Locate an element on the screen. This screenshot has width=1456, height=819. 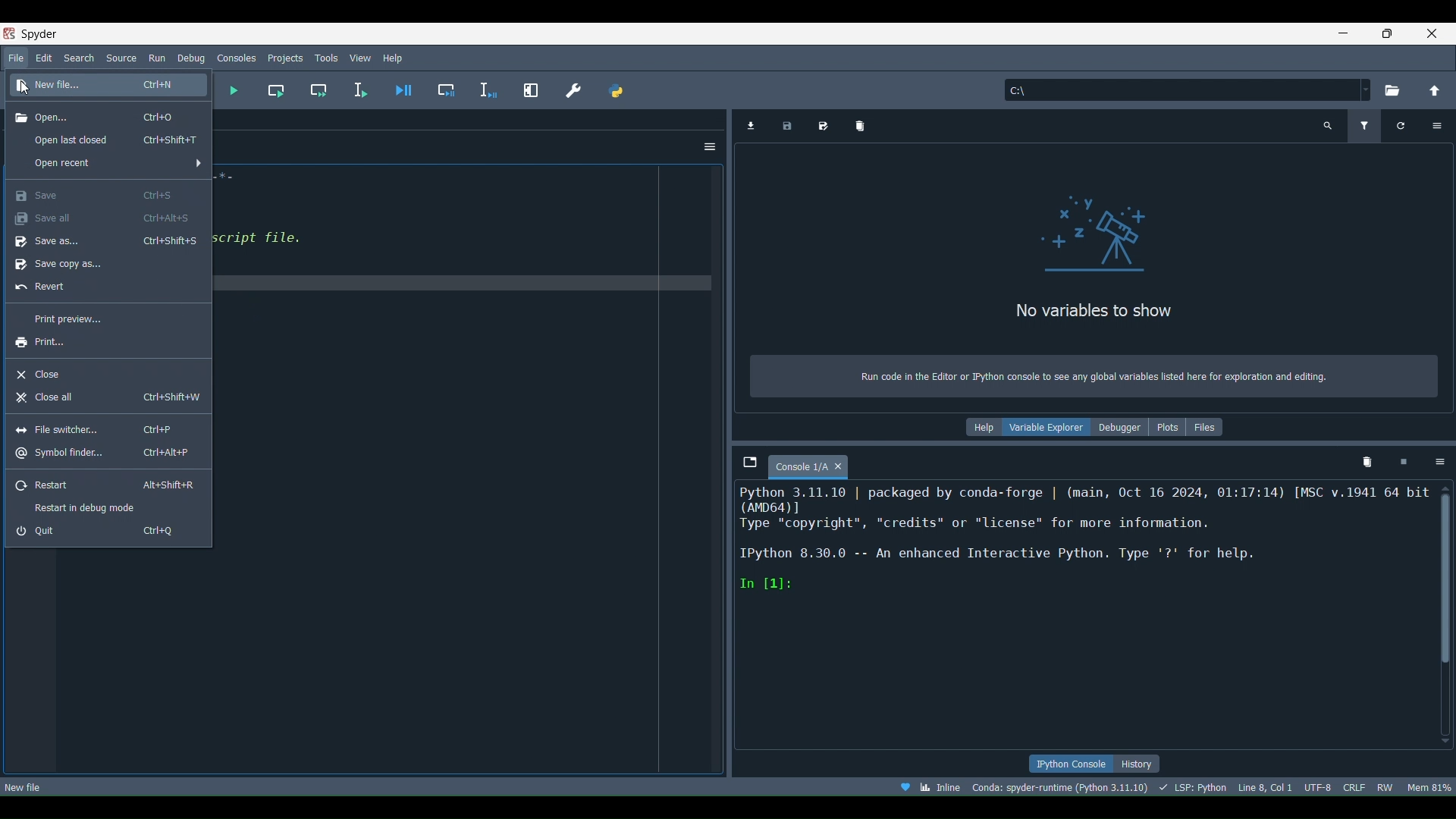
Change to parent directory is located at coordinates (1429, 92).